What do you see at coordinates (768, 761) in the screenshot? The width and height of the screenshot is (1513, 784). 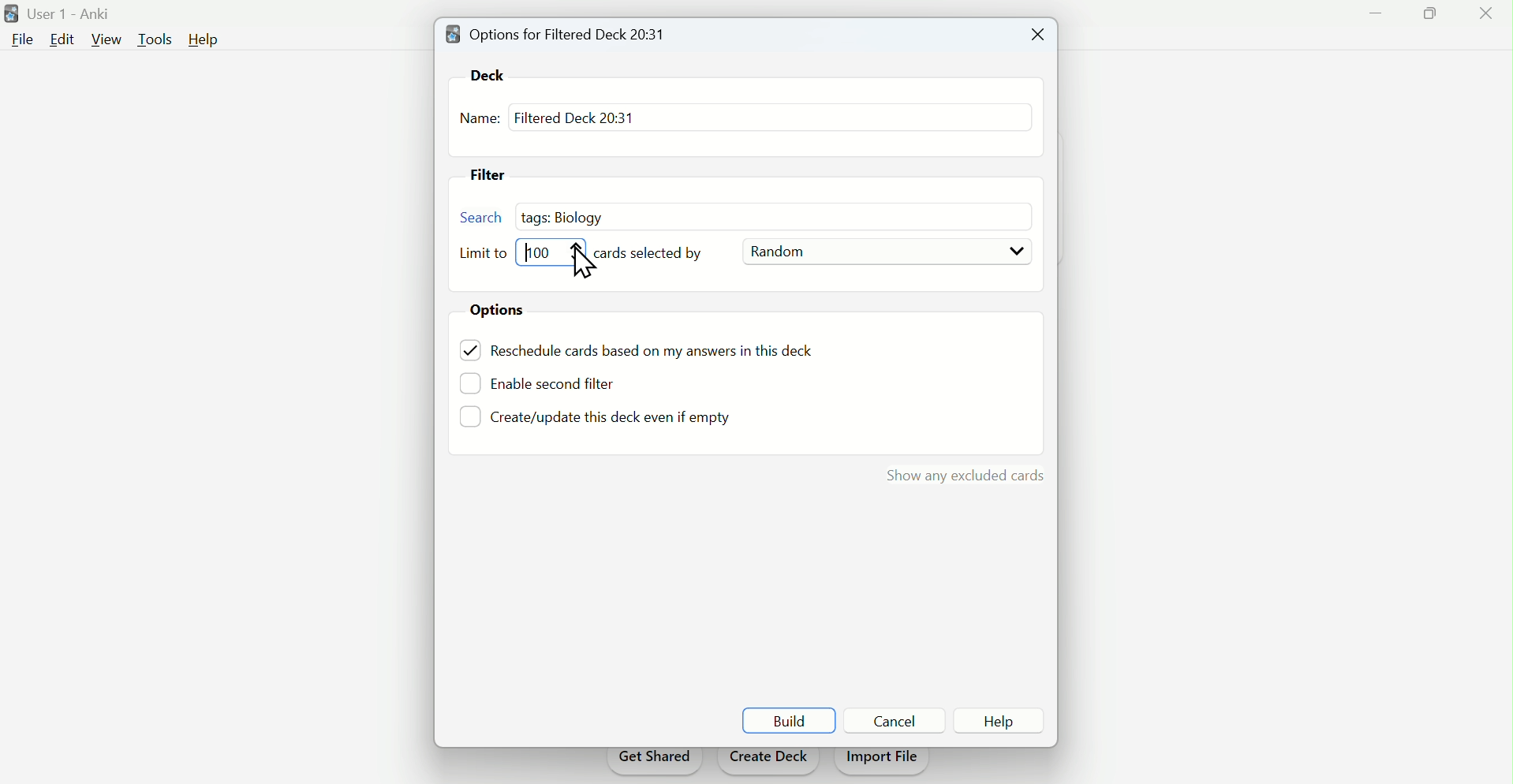 I see `Create deck` at bounding box center [768, 761].